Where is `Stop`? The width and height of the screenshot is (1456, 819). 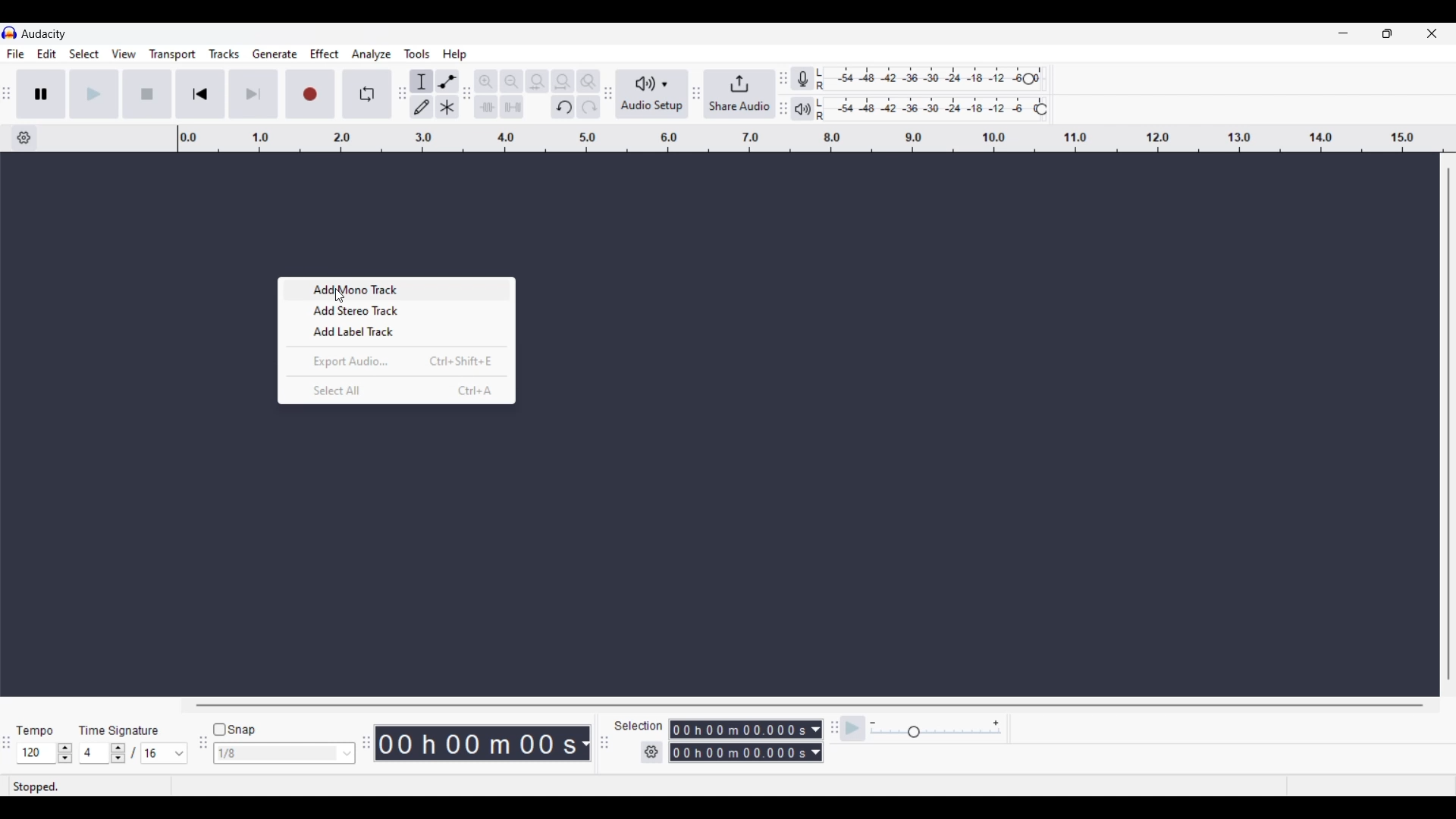 Stop is located at coordinates (148, 94).